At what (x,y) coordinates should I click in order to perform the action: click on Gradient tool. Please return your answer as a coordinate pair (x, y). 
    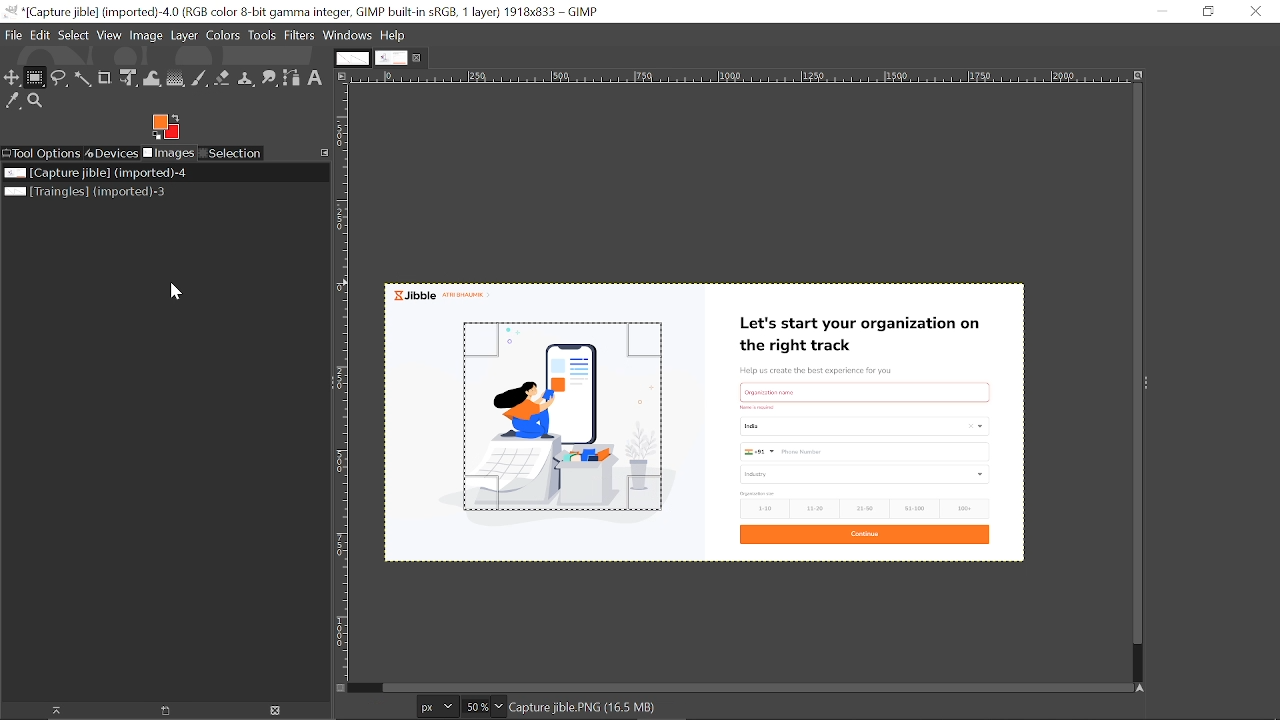
    Looking at the image, I should click on (176, 78).